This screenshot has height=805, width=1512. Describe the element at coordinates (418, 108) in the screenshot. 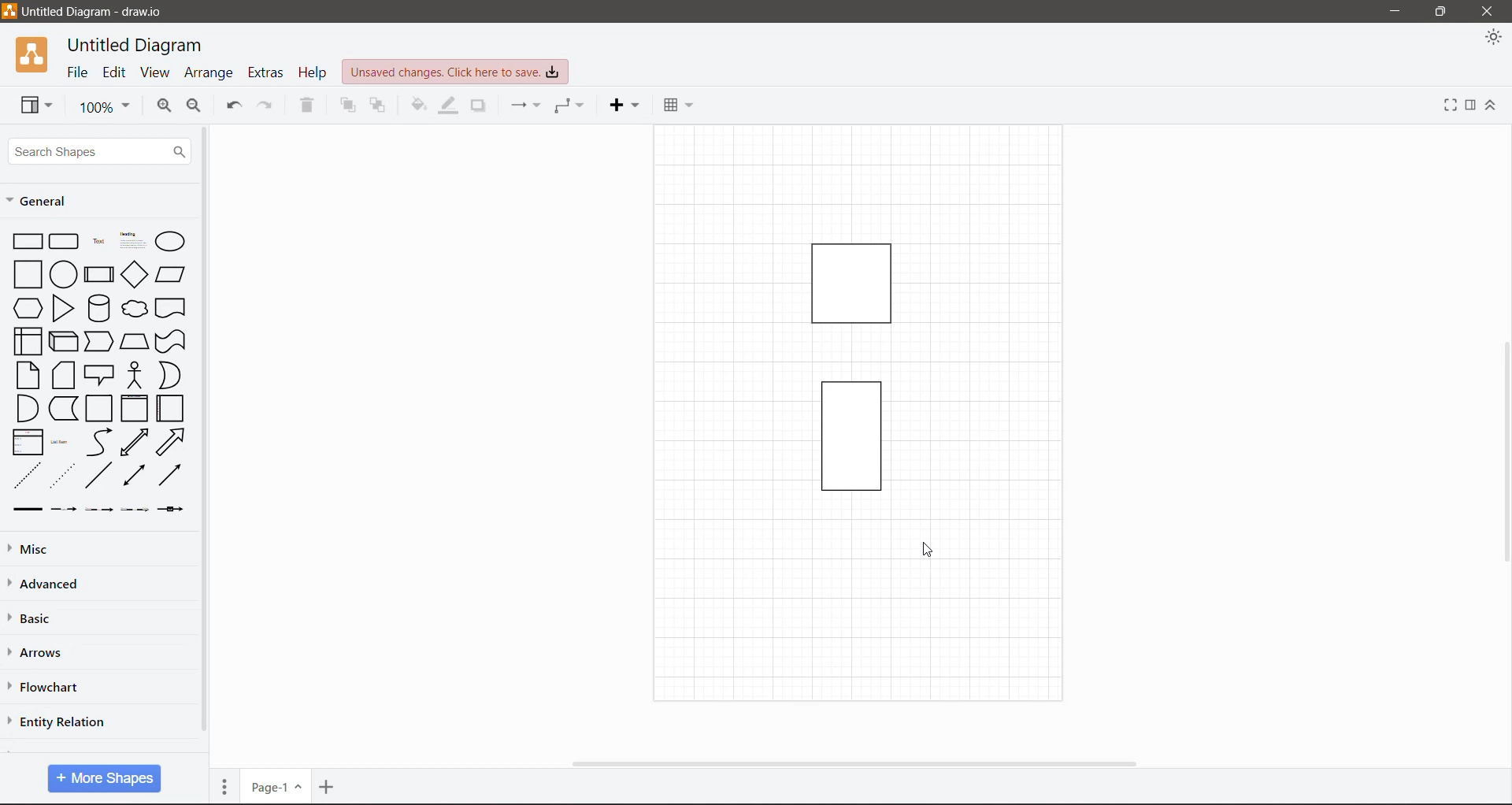

I see `Fill Color` at that location.